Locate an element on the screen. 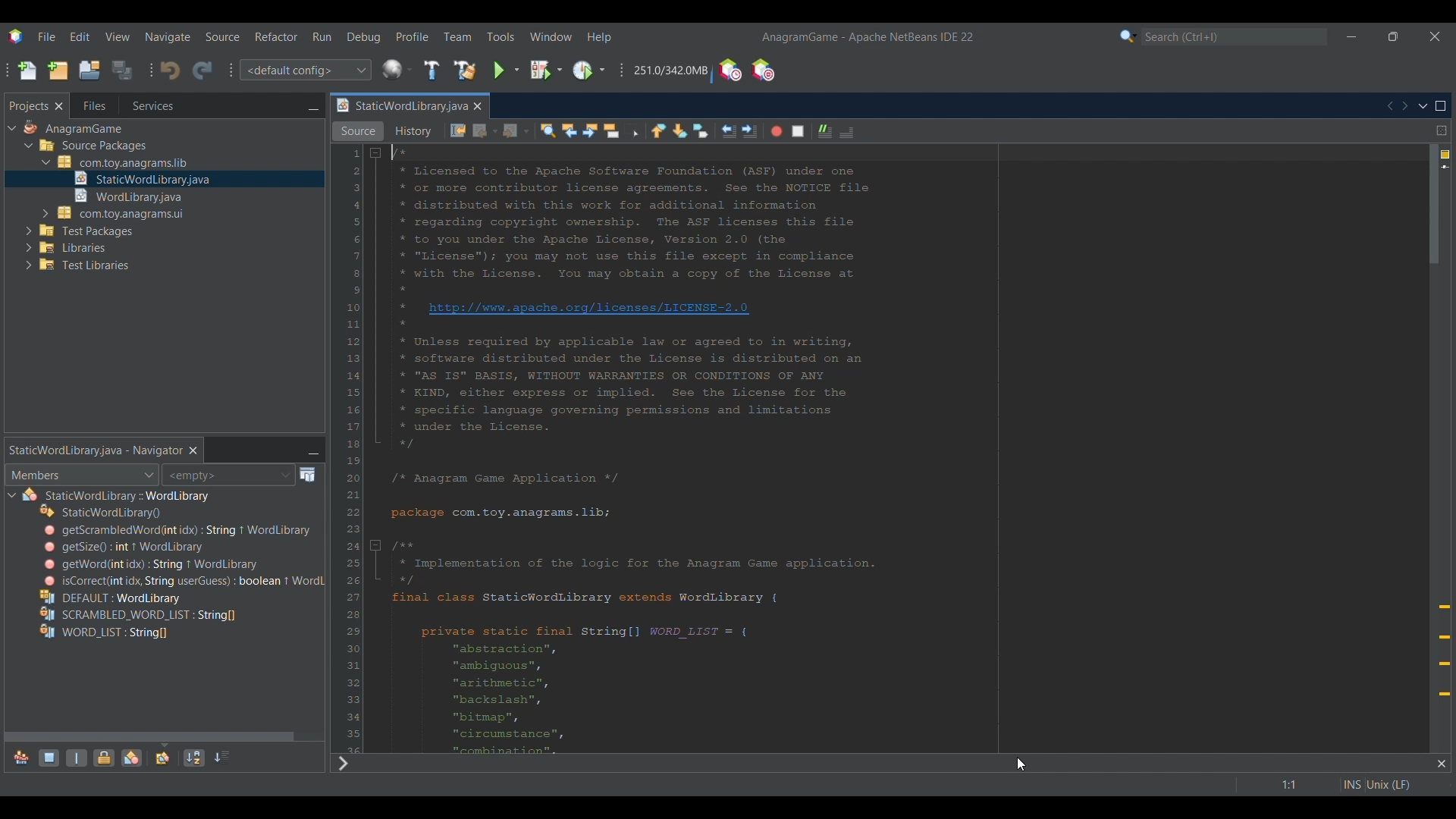 This screenshot has height=819, width=1456. Debug project selection is located at coordinates (540, 71).